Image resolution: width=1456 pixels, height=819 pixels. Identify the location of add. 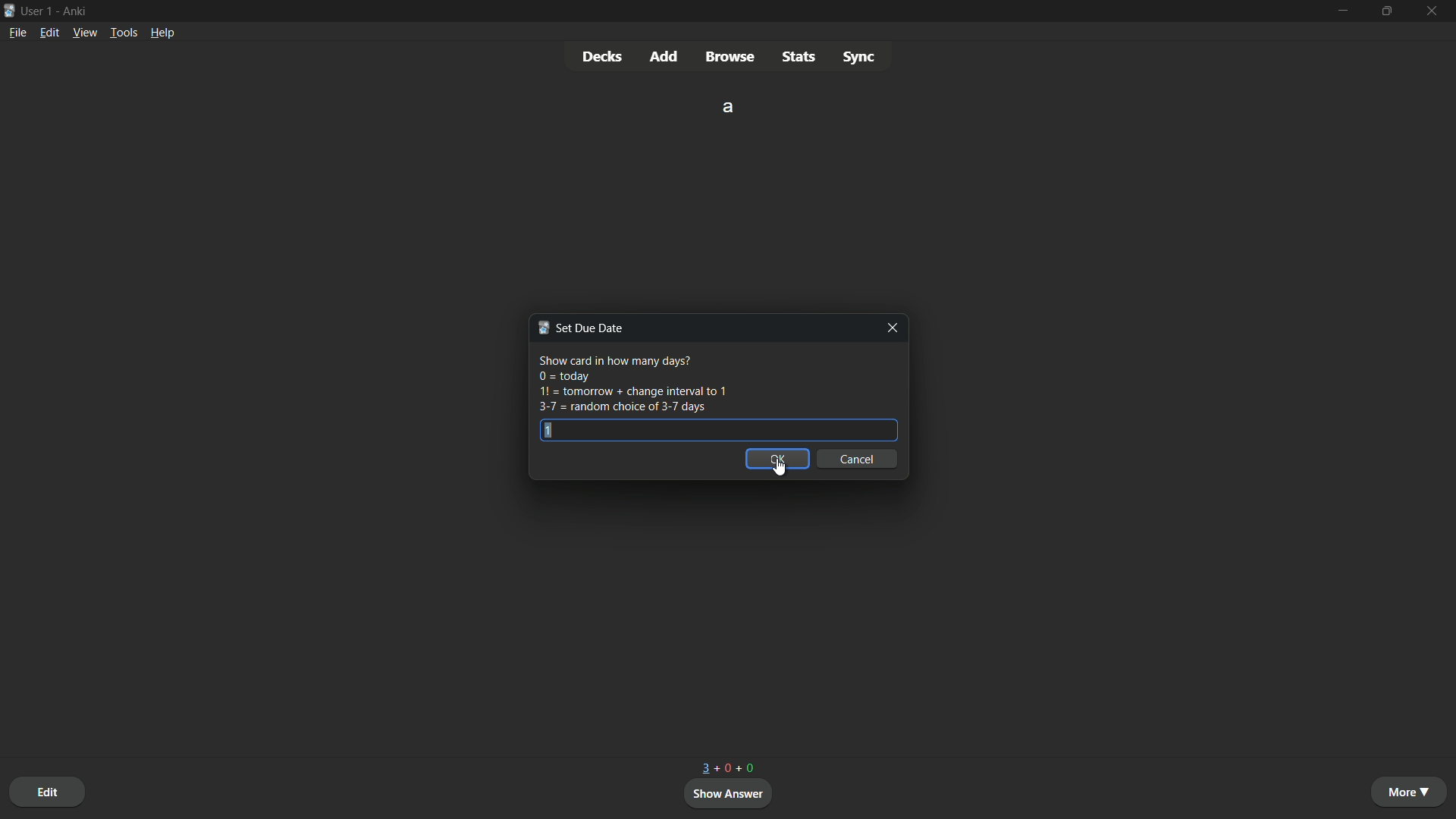
(665, 56).